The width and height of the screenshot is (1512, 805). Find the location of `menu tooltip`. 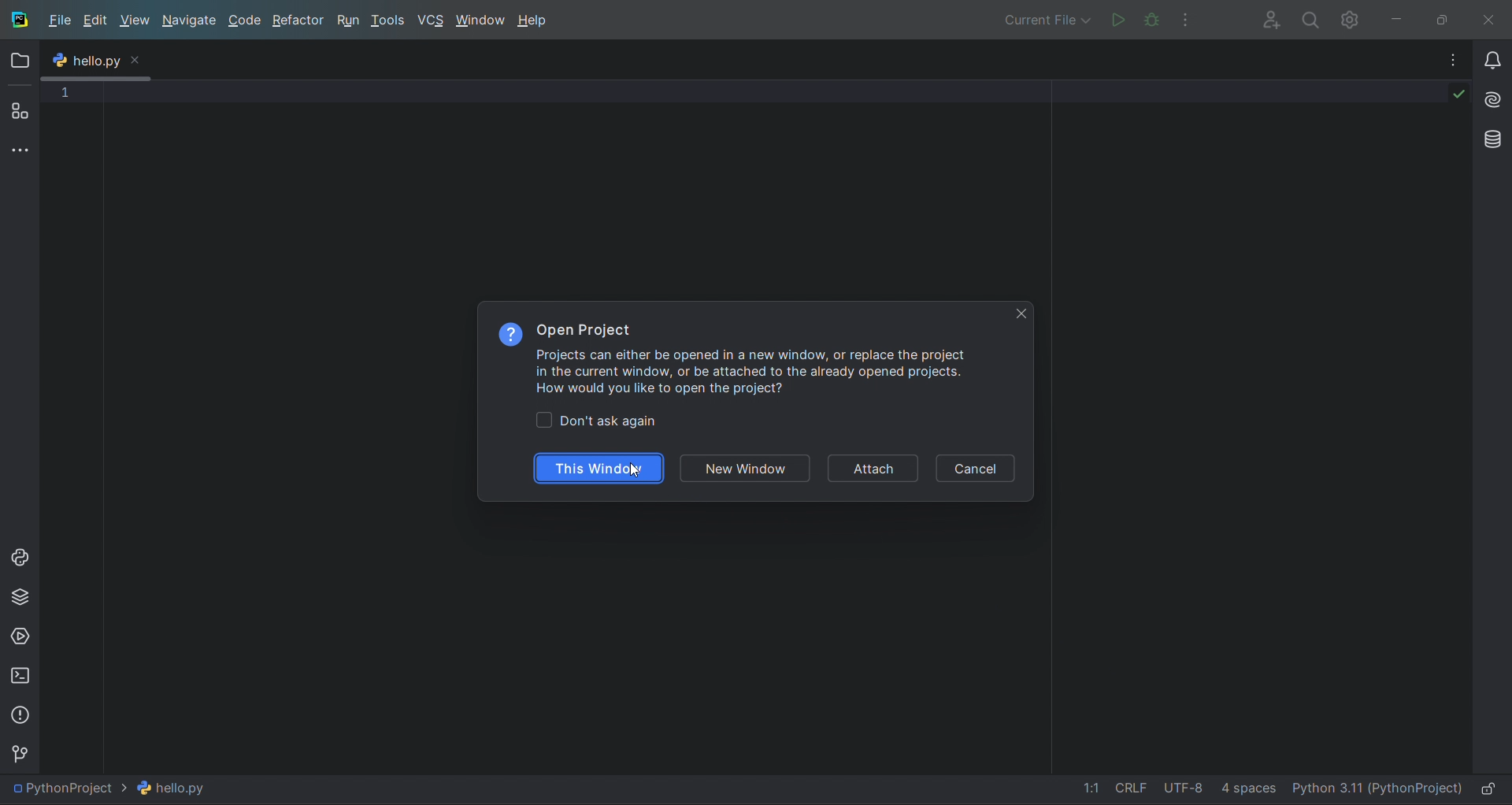

menu tooltip is located at coordinates (114, 63).